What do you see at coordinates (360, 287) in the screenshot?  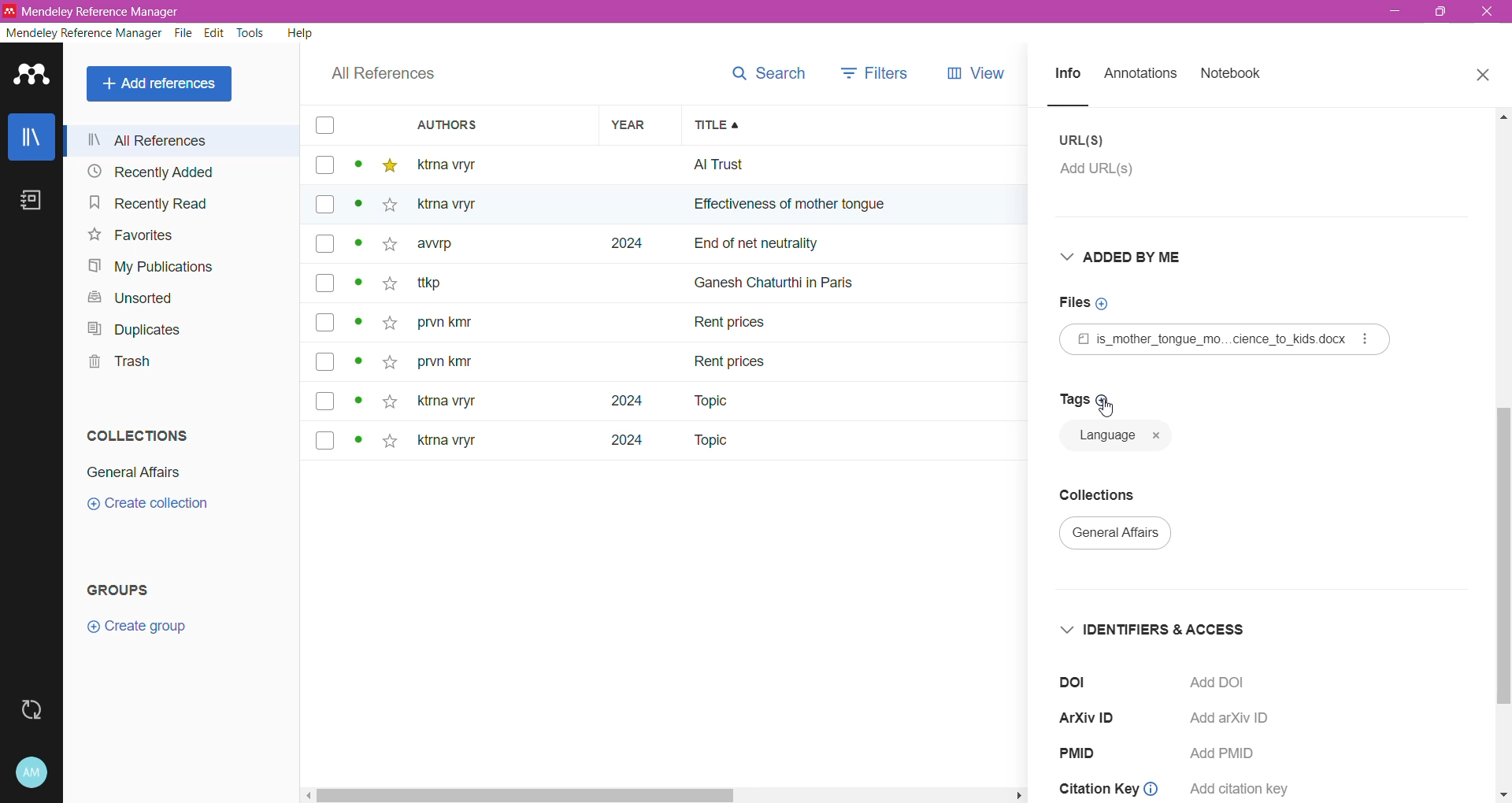 I see `dot ` at bounding box center [360, 287].